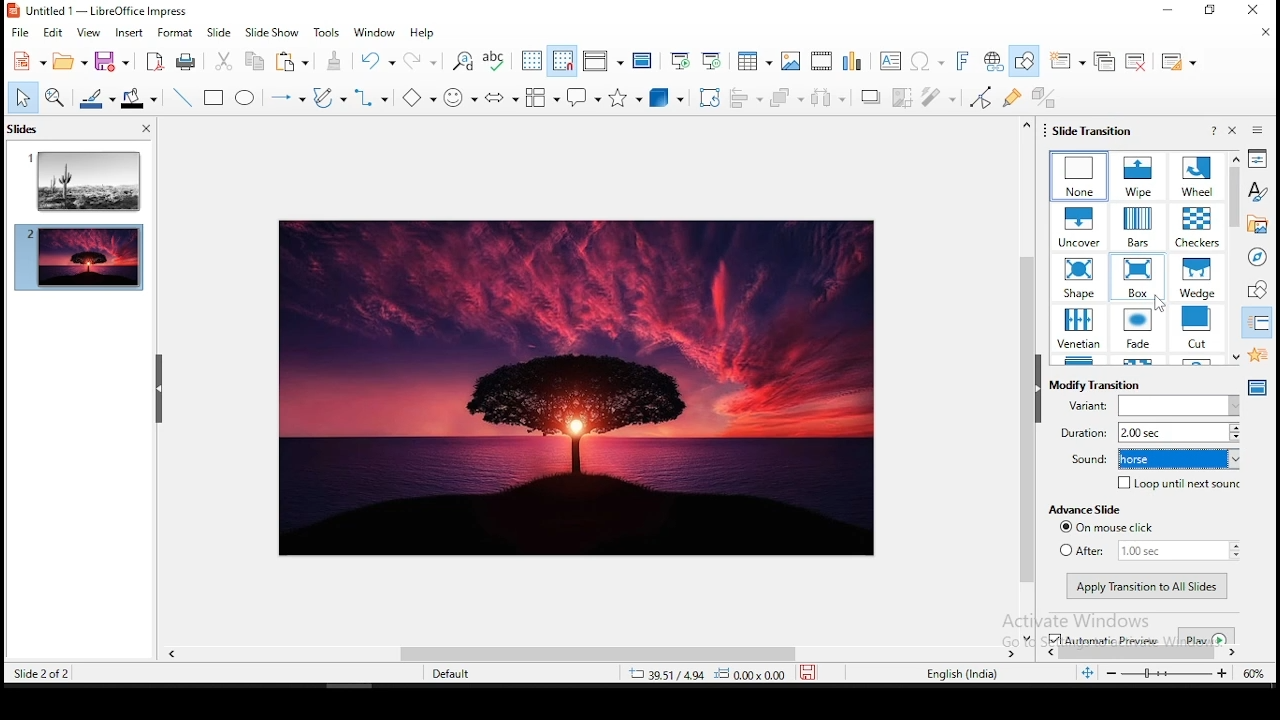  Describe the element at coordinates (1148, 550) in the screenshot. I see `after` at that location.